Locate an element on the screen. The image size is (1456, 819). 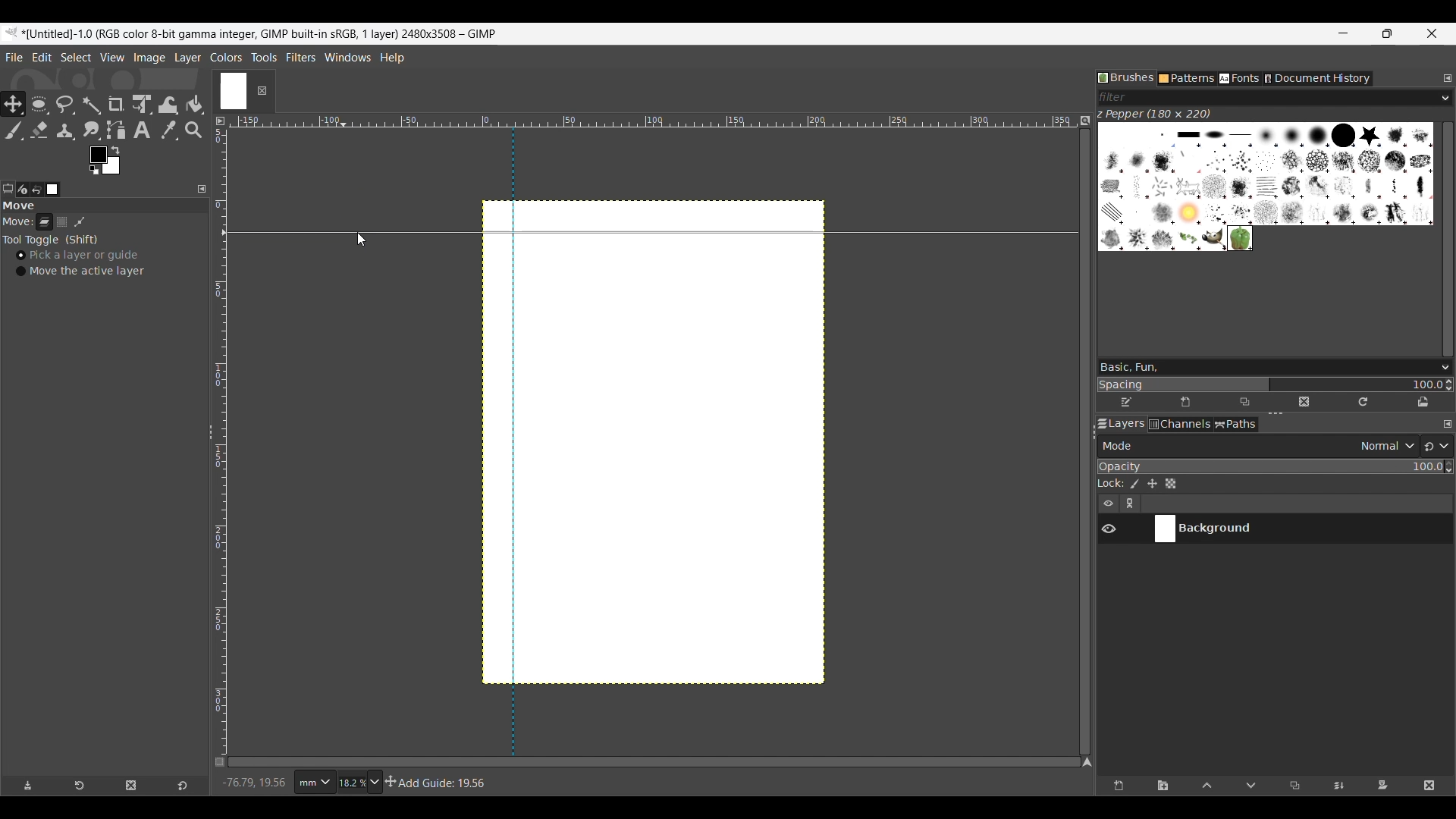
Paintbrush tool is located at coordinates (11, 130).